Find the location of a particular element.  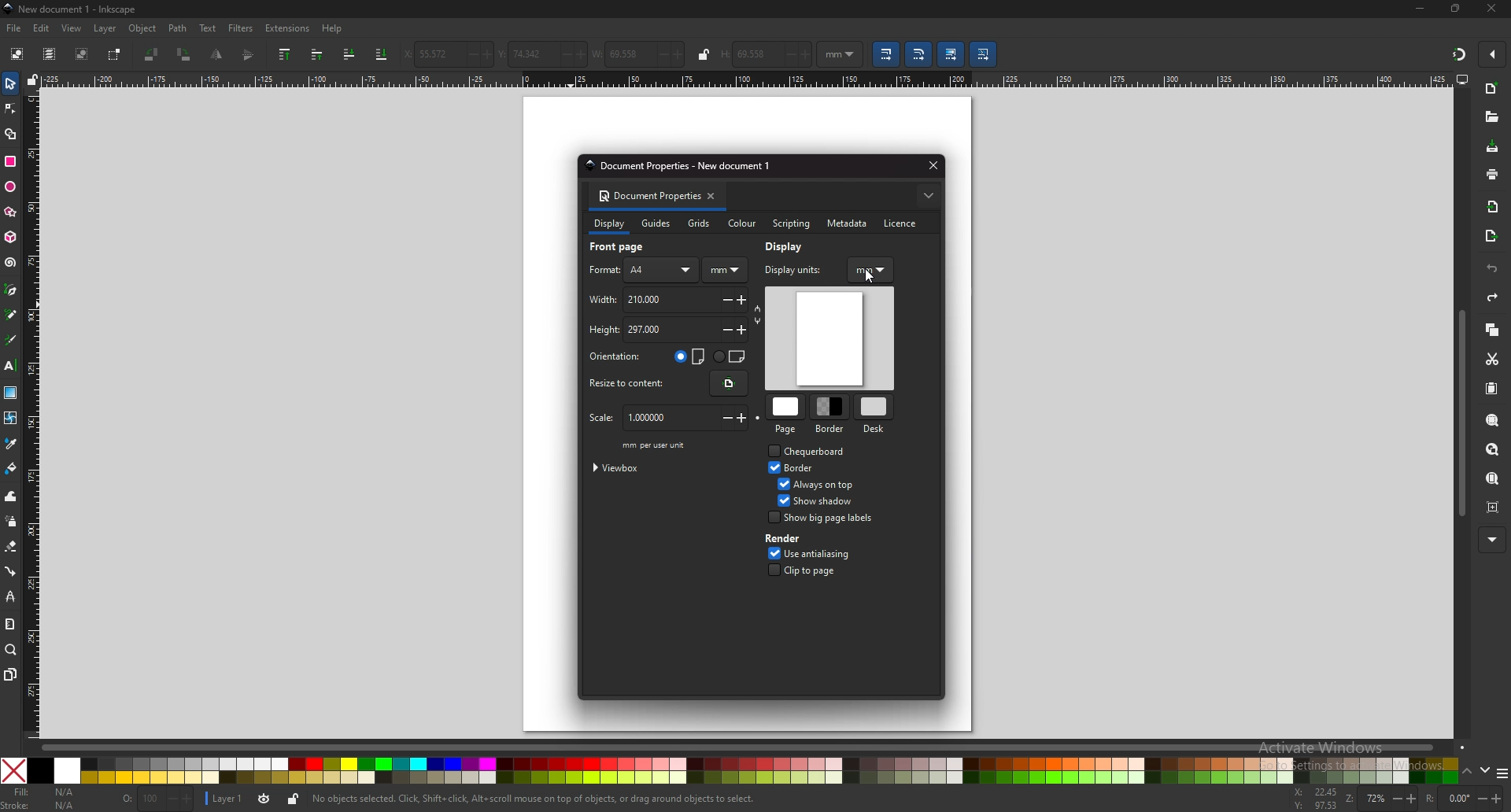

redo is located at coordinates (1493, 297).